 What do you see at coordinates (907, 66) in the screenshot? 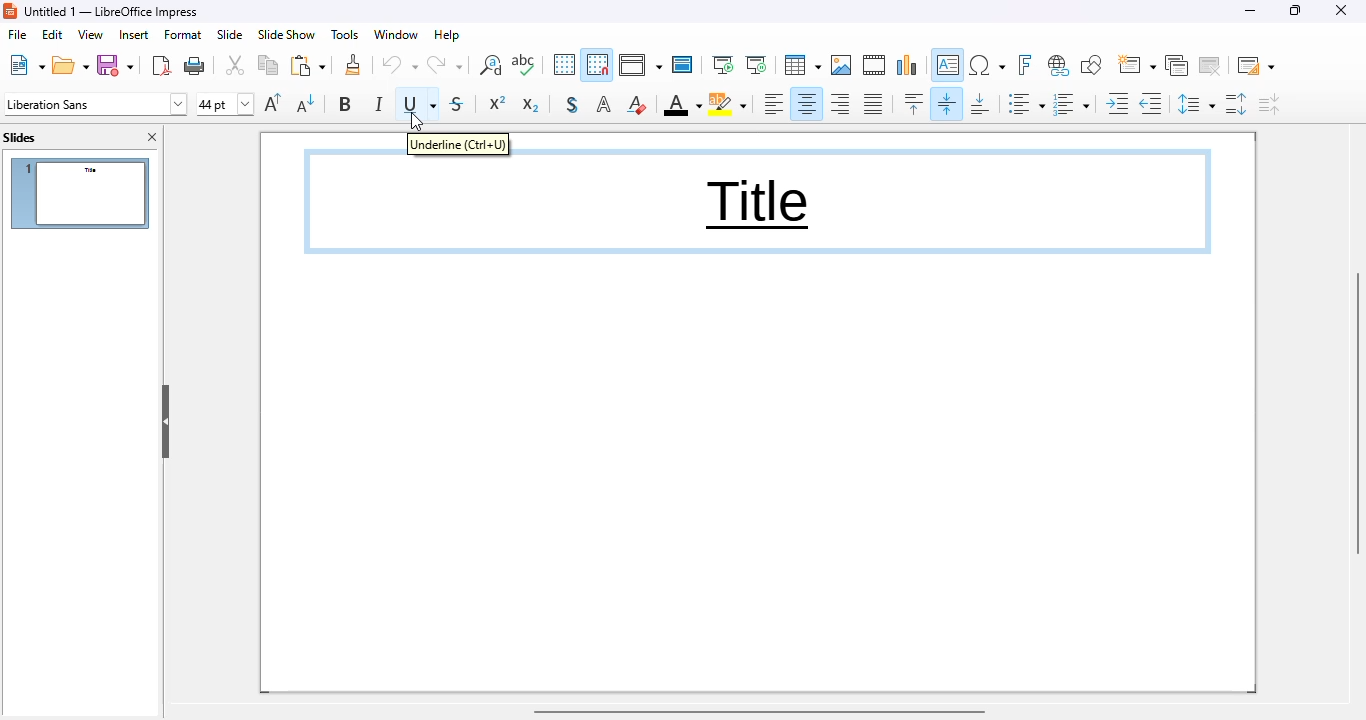
I see `insert chart` at bounding box center [907, 66].